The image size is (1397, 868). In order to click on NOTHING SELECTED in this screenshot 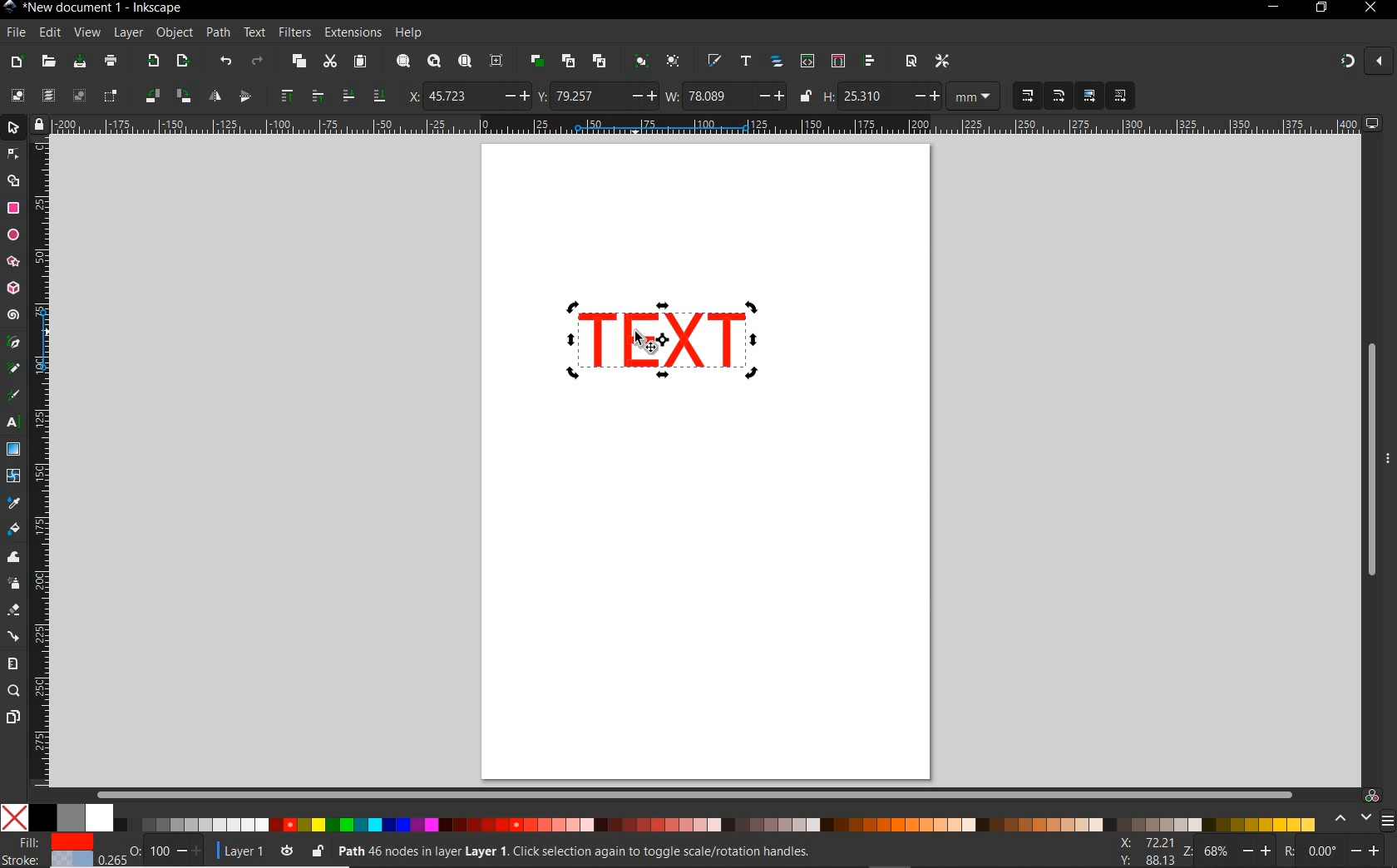, I will do `click(166, 854)`.